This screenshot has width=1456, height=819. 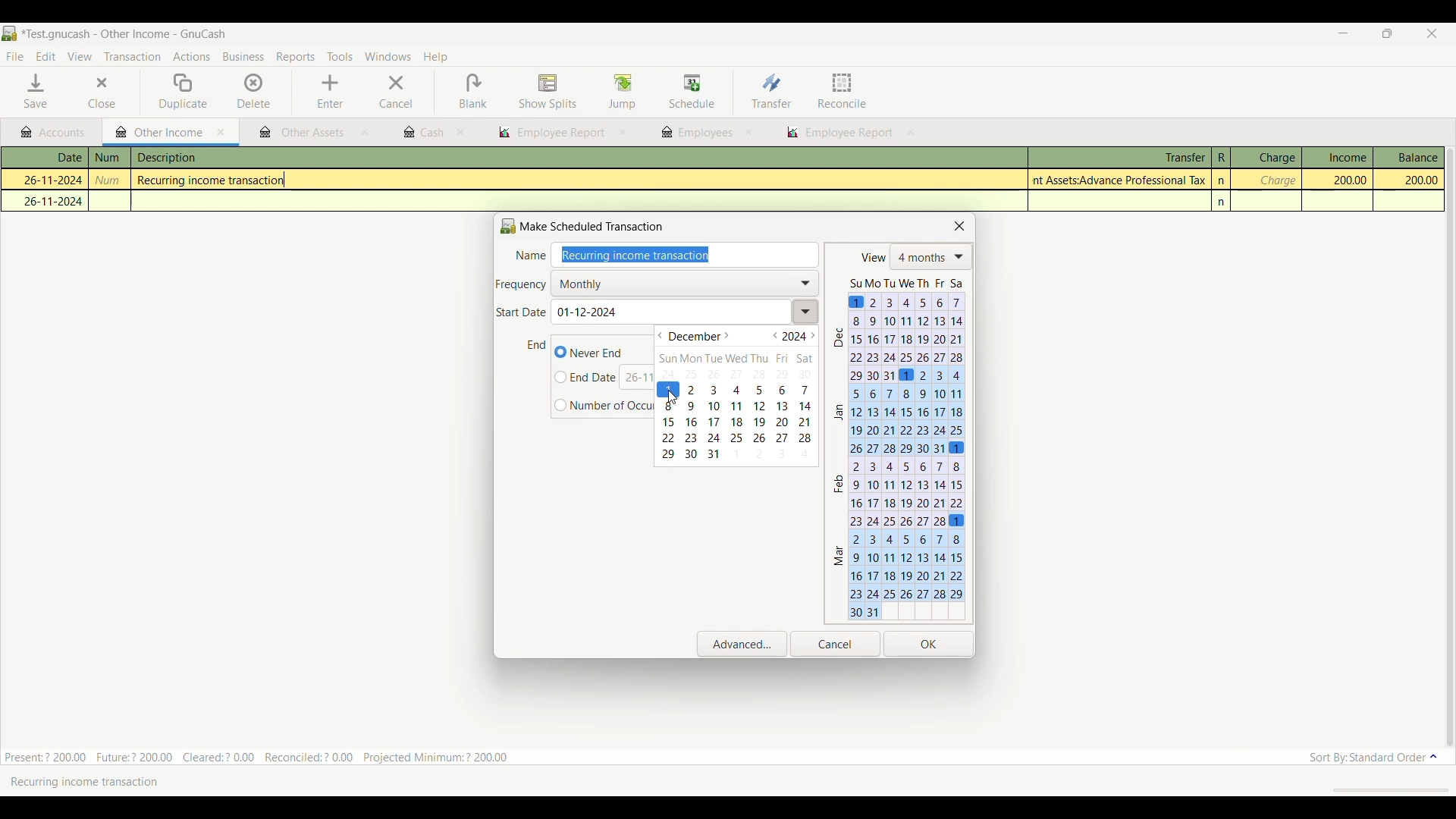 I want to click on Enter start date of transaction, so click(x=684, y=312).